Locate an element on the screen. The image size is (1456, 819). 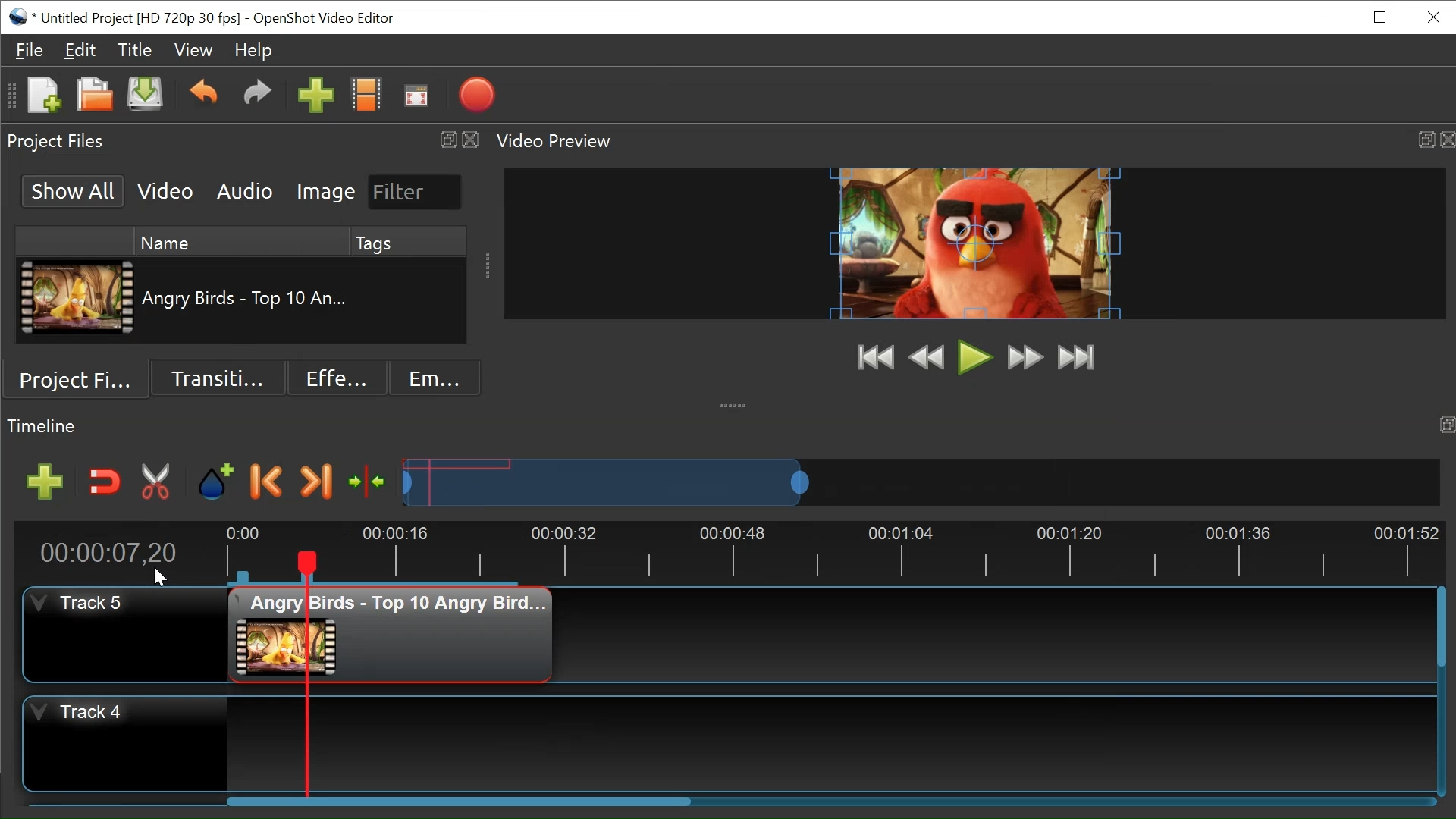
Close is located at coordinates (1432, 17).